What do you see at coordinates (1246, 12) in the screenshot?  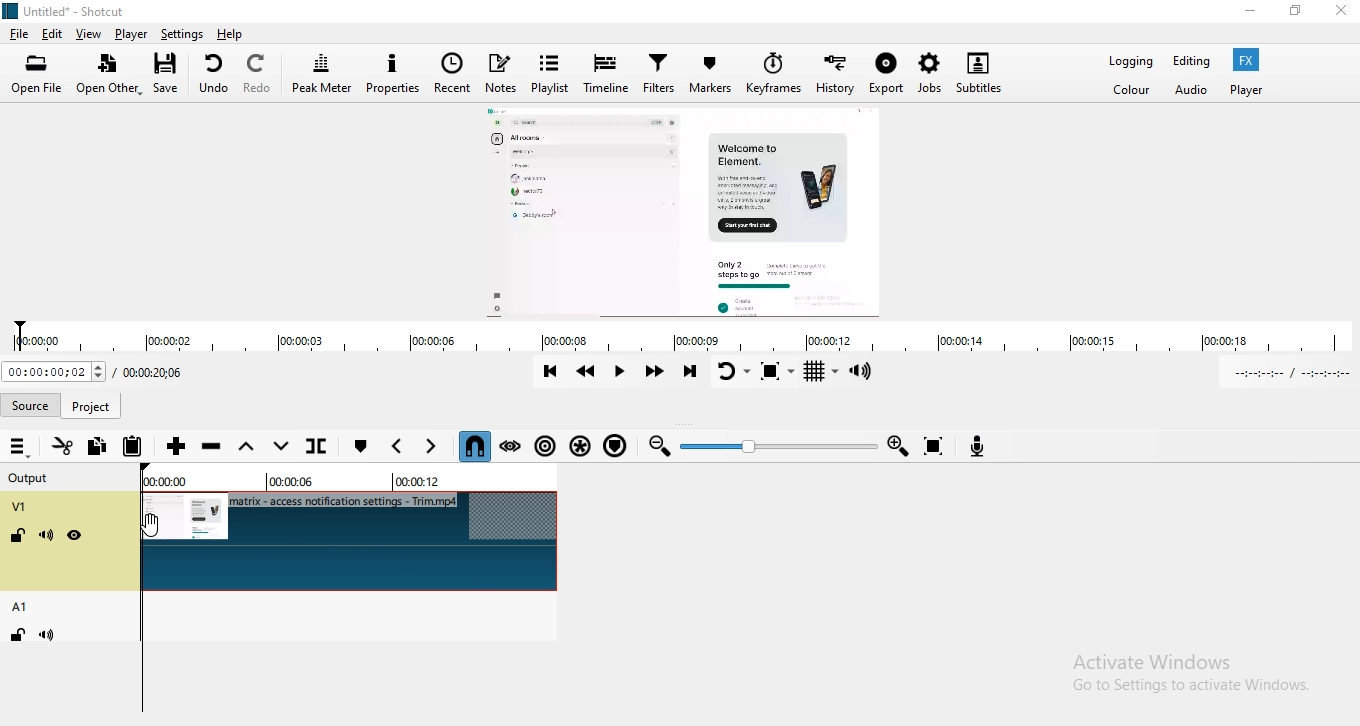 I see `Minimise` at bounding box center [1246, 12].